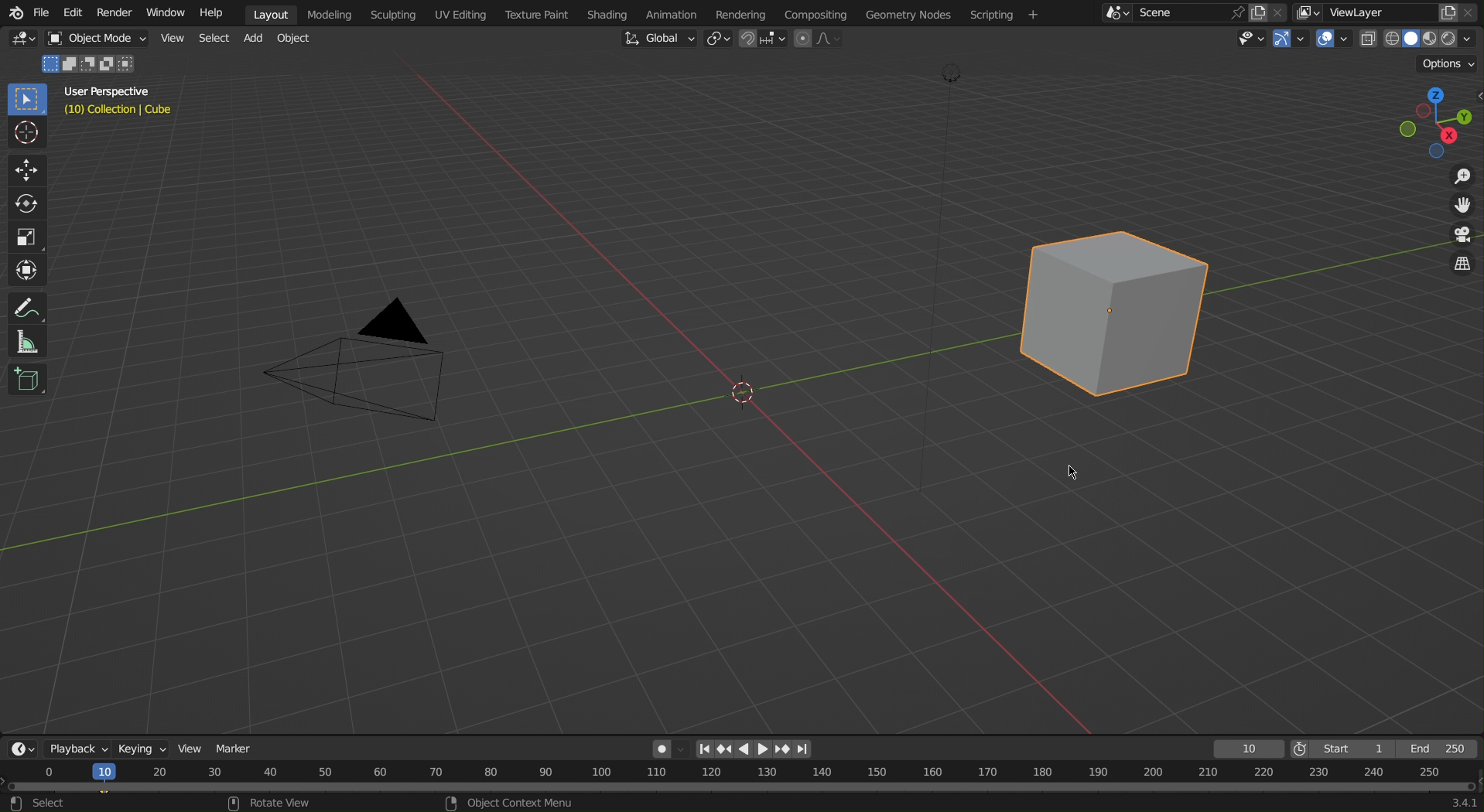 The width and height of the screenshot is (1484, 812). Describe the element at coordinates (254, 39) in the screenshot. I see `Add` at that location.